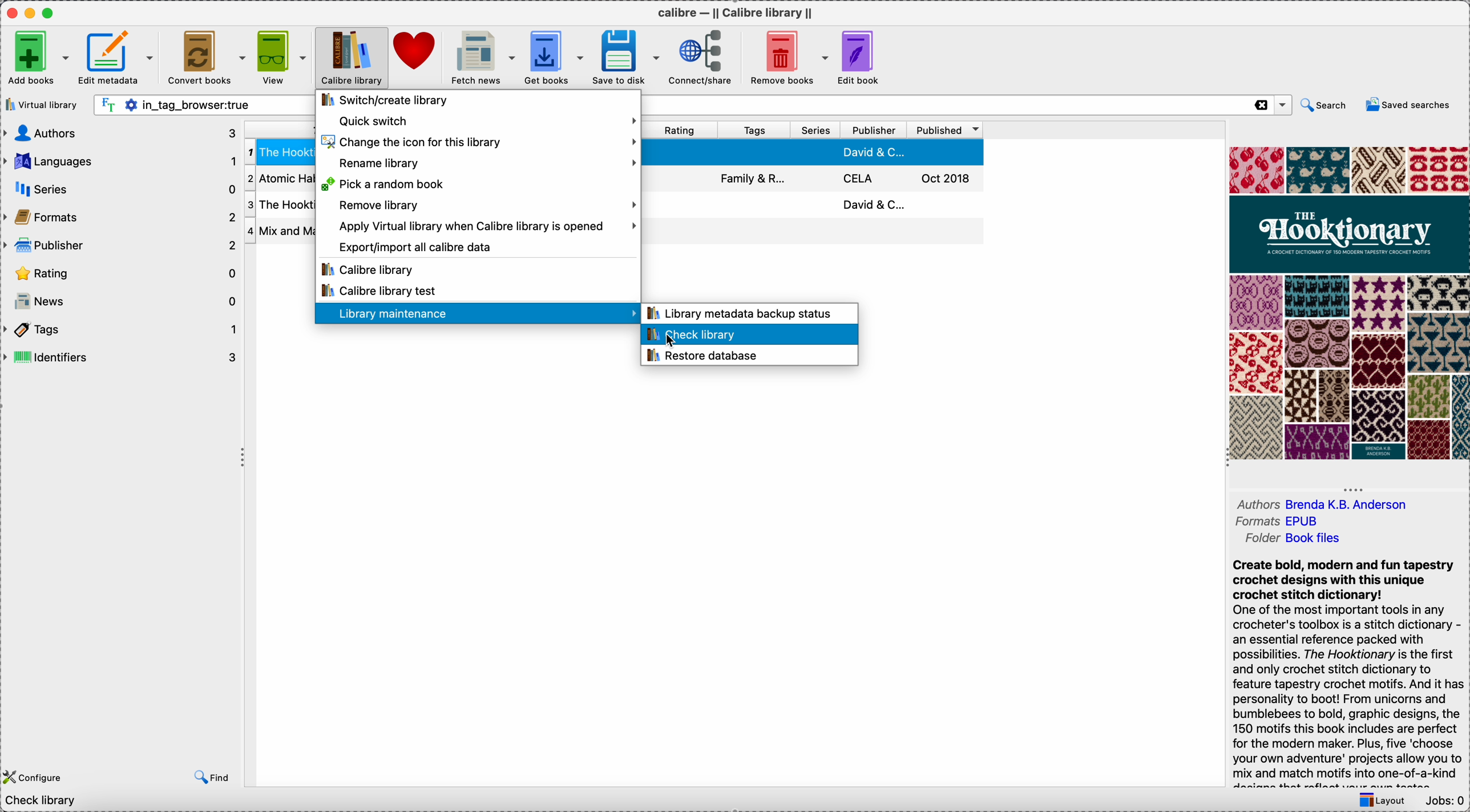  What do you see at coordinates (350, 58) in the screenshot?
I see `click on Calibre library` at bounding box center [350, 58].